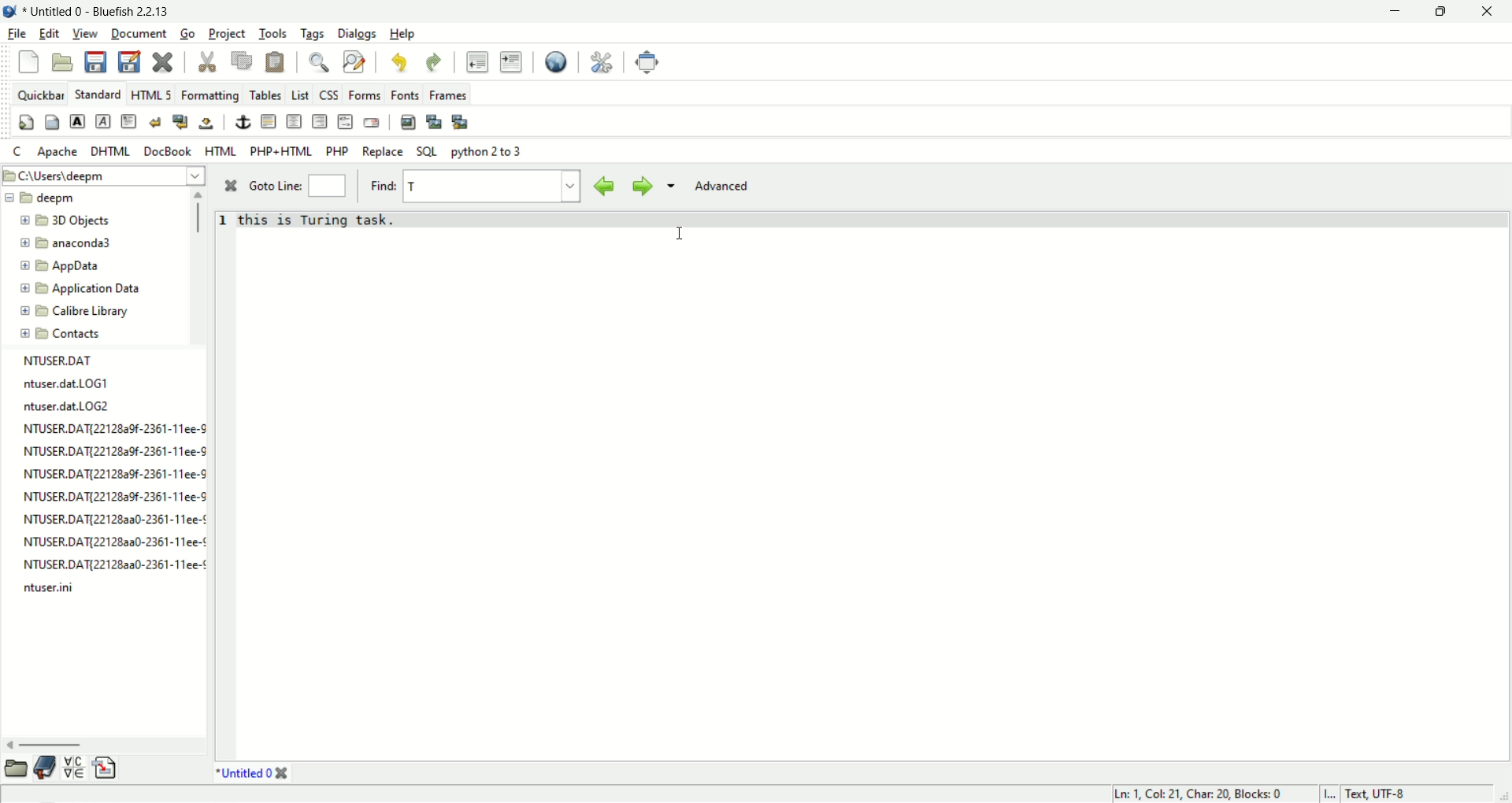 The height and width of the screenshot is (803, 1512). What do you see at coordinates (357, 33) in the screenshot?
I see `Dialogs` at bounding box center [357, 33].